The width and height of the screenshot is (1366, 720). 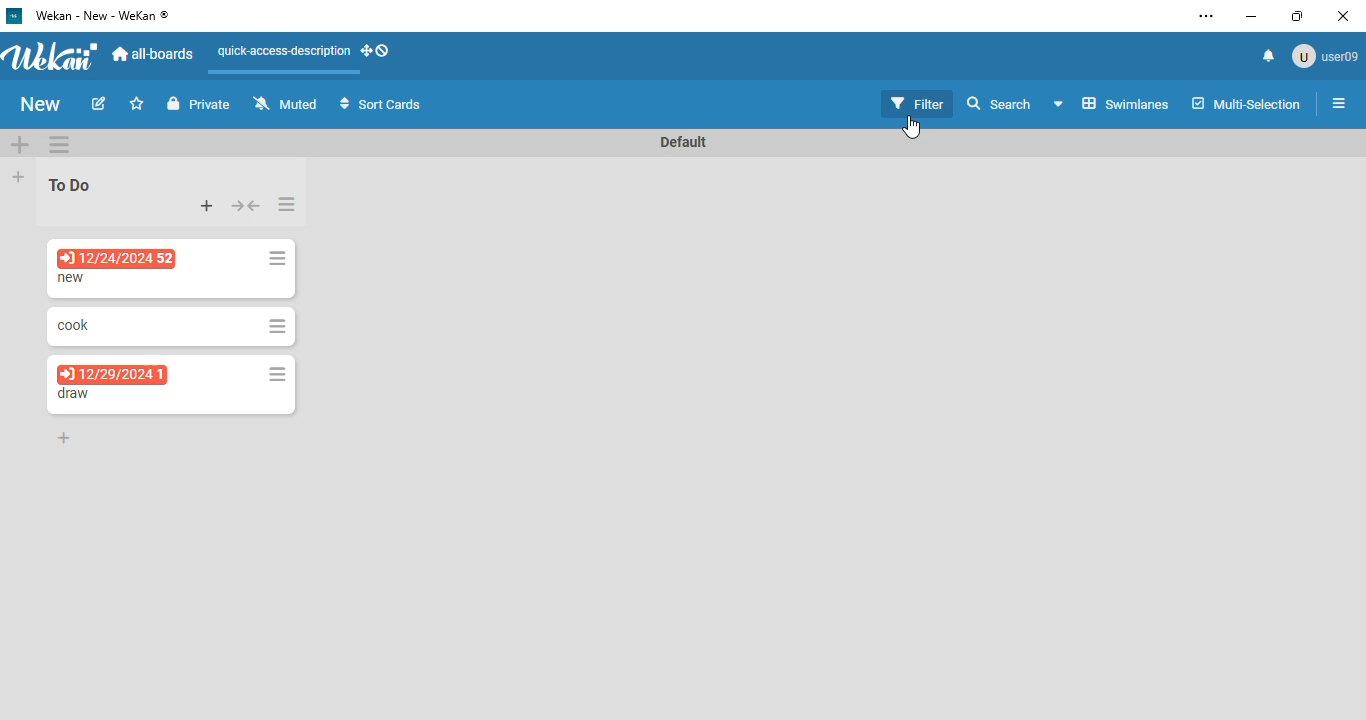 What do you see at coordinates (285, 103) in the screenshot?
I see `muted` at bounding box center [285, 103].